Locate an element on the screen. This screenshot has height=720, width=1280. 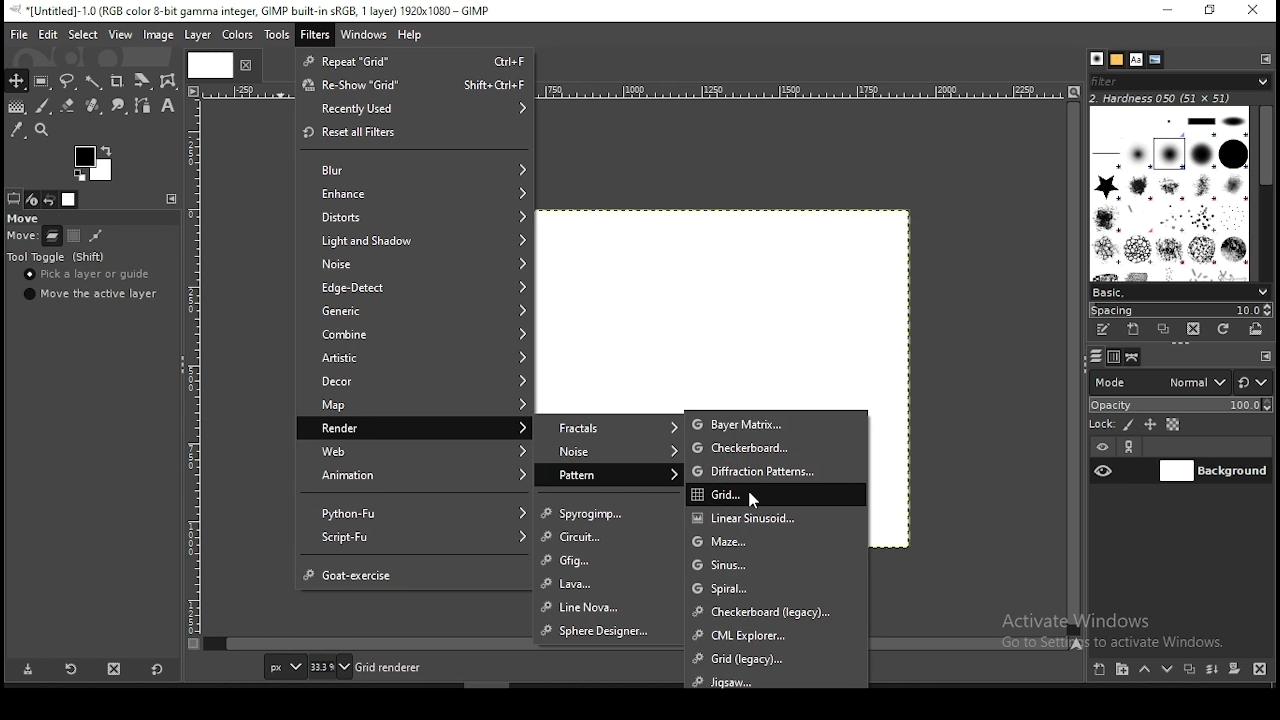
crop tool is located at coordinates (117, 83).